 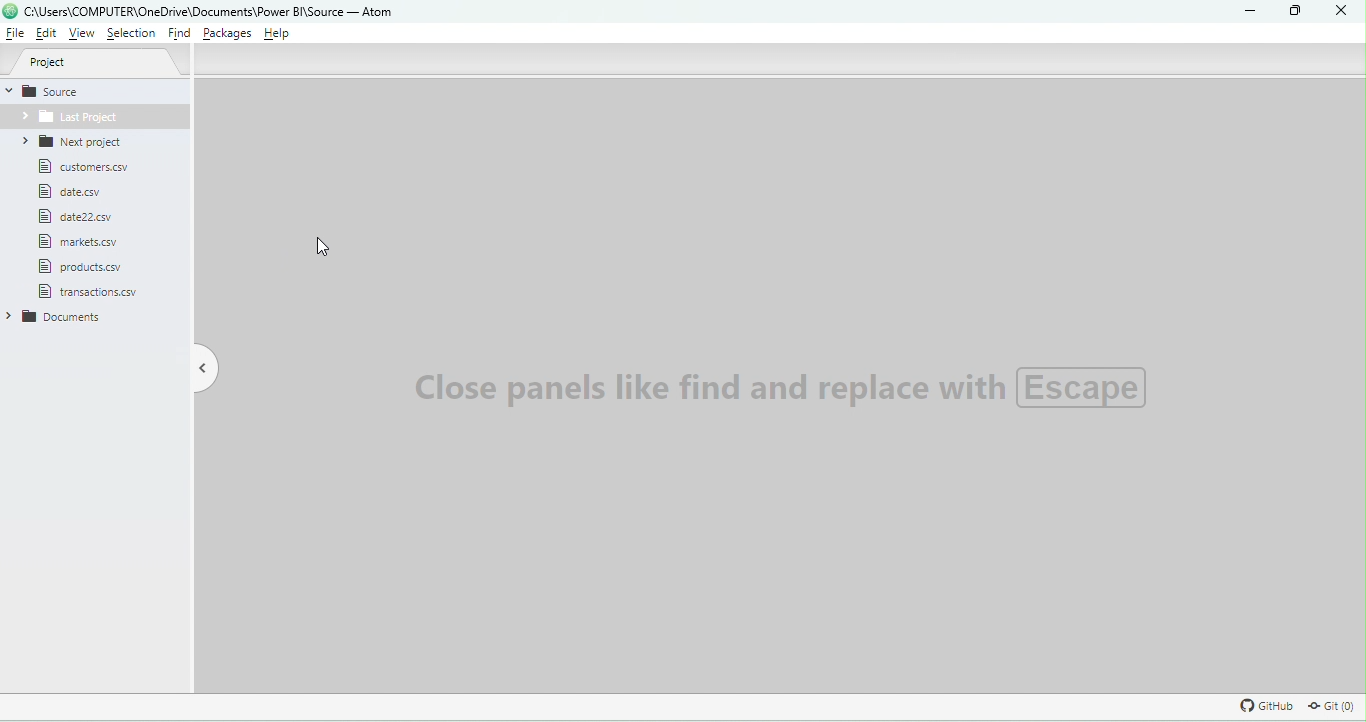 What do you see at coordinates (328, 243) in the screenshot?
I see `Cursor` at bounding box center [328, 243].